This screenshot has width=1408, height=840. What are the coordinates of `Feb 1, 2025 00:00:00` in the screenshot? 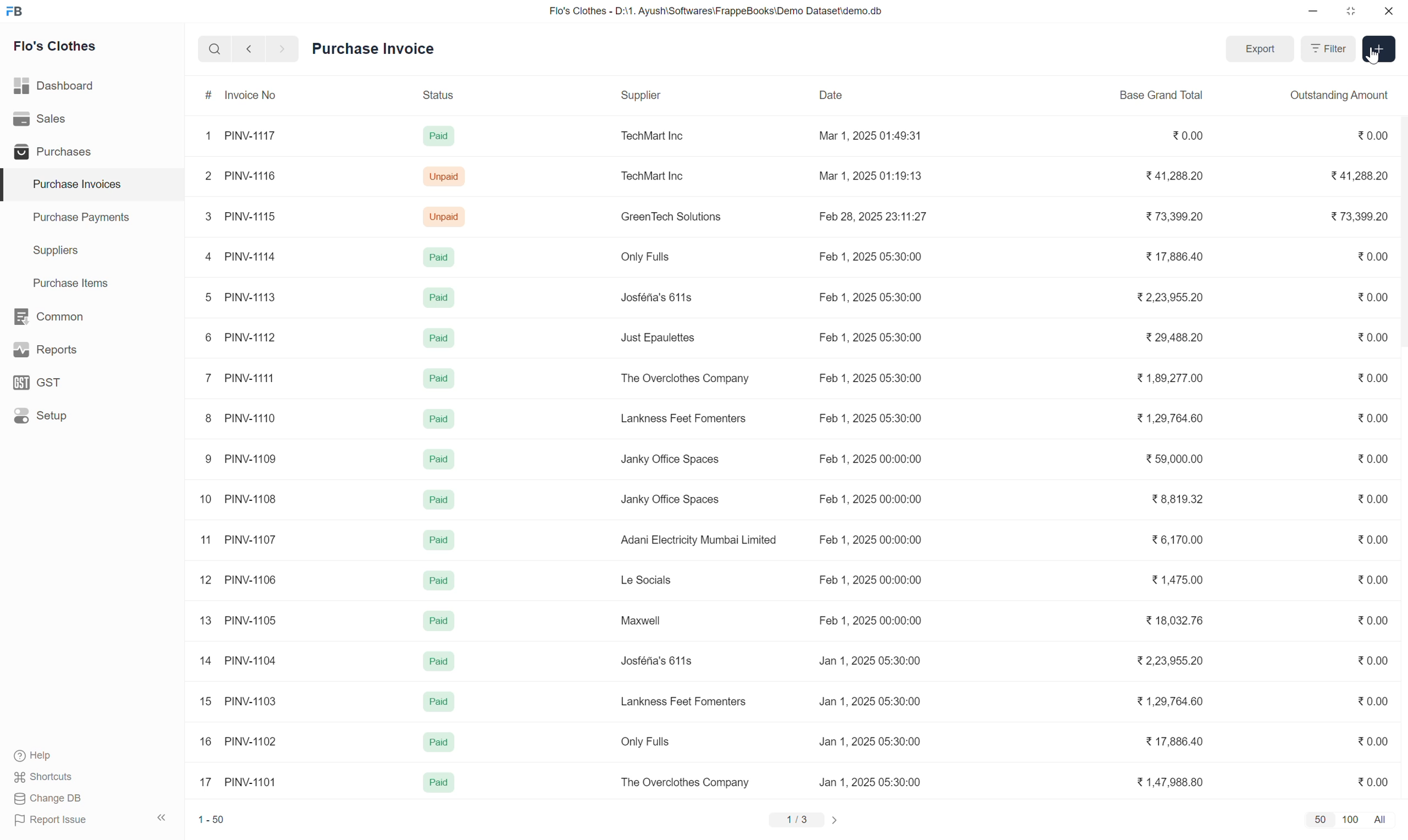 It's located at (871, 499).